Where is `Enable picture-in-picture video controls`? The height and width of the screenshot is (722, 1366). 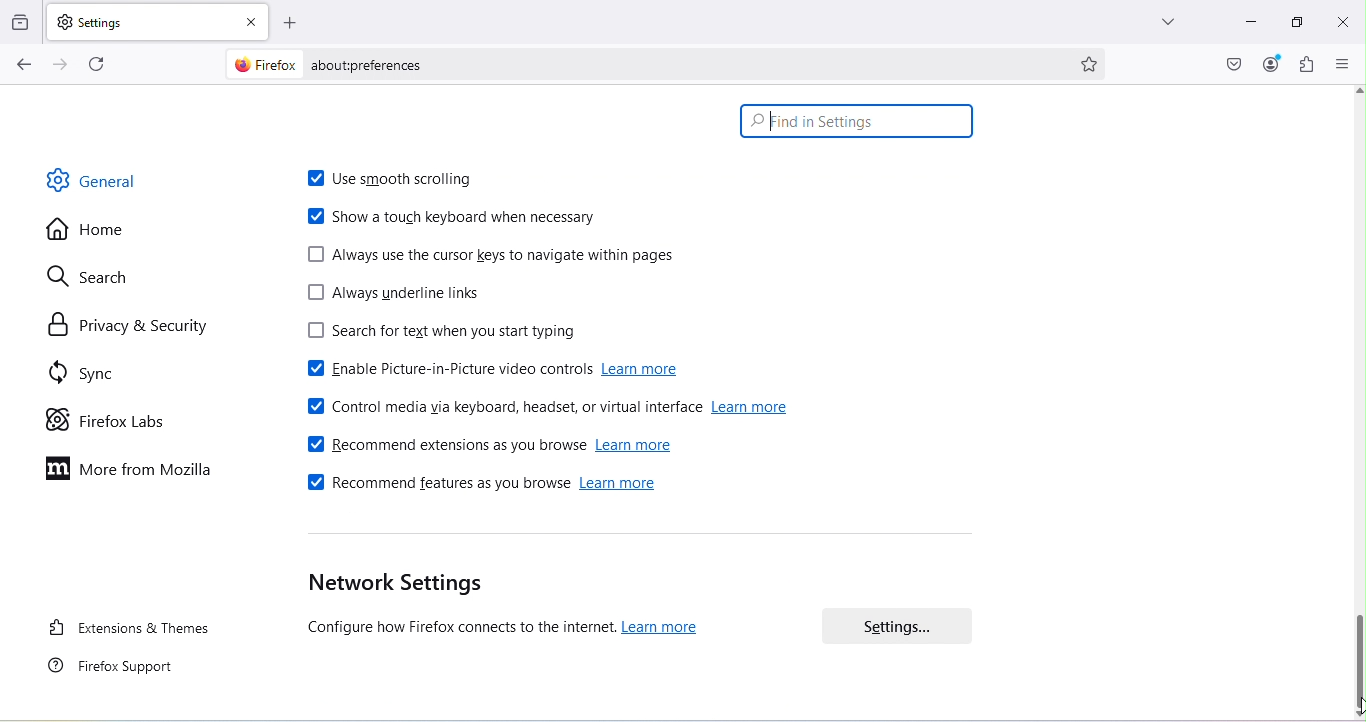 Enable picture-in-picture video controls is located at coordinates (437, 372).